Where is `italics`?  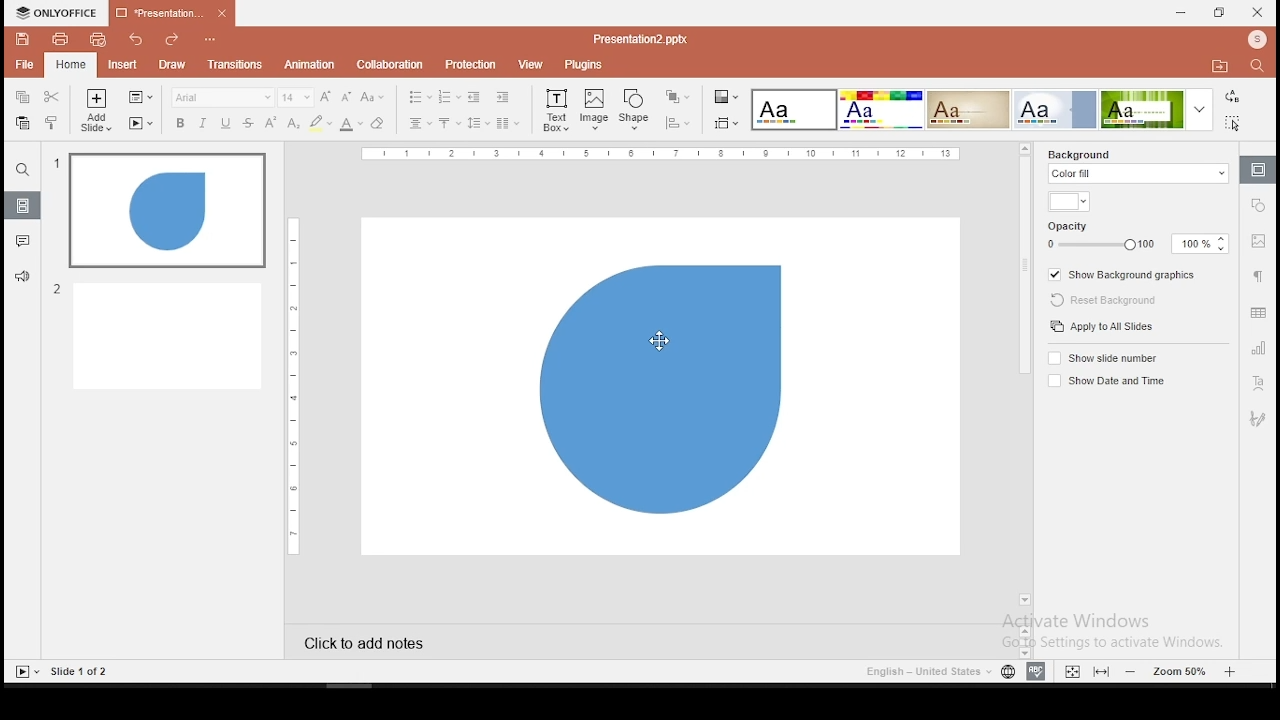 italics is located at coordinates (201, 124).